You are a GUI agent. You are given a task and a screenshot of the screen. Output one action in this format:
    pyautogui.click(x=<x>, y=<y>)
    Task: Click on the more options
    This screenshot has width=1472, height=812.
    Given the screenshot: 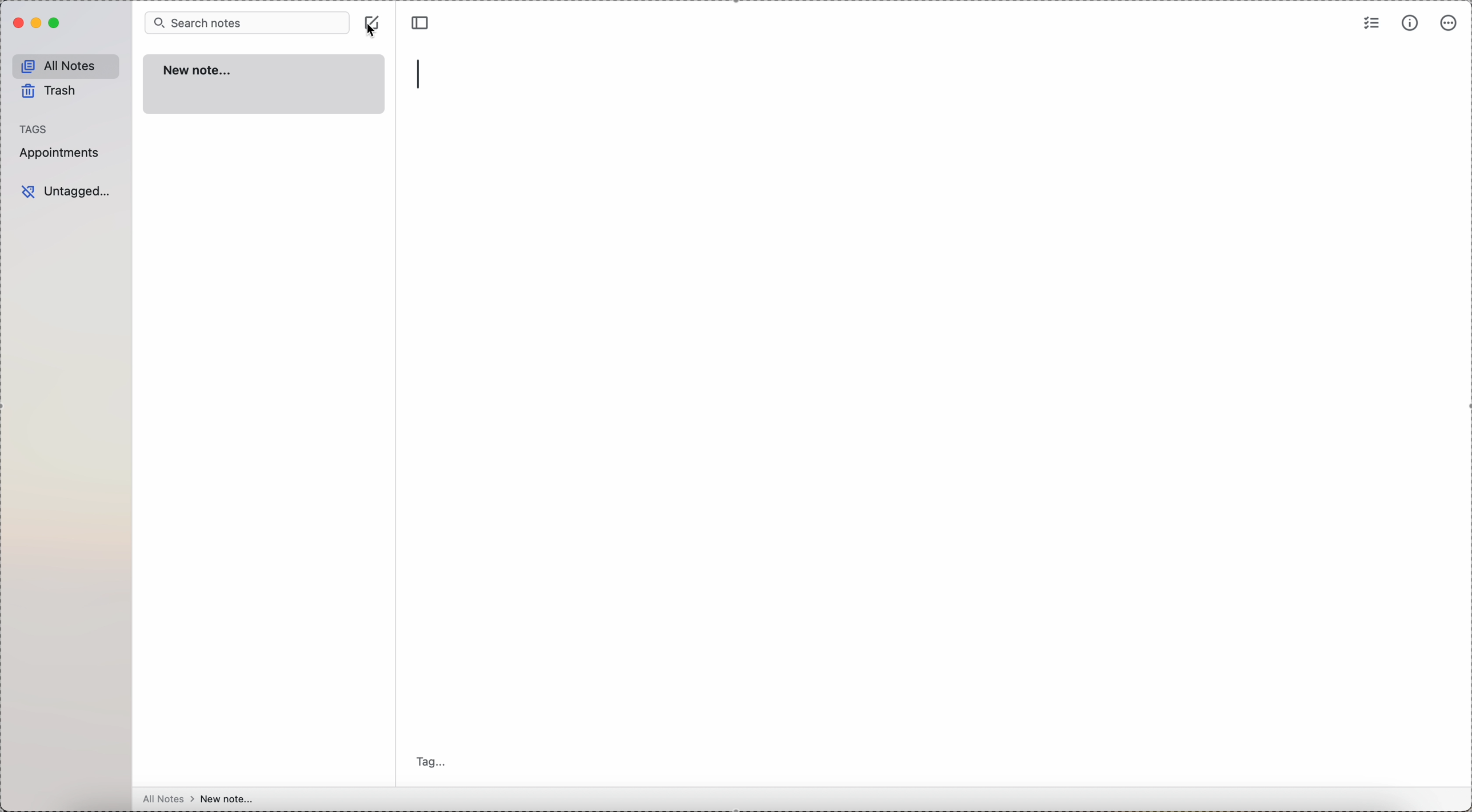 What is the action you would take?
    pyautogui.click(x=1449, y=23)
    